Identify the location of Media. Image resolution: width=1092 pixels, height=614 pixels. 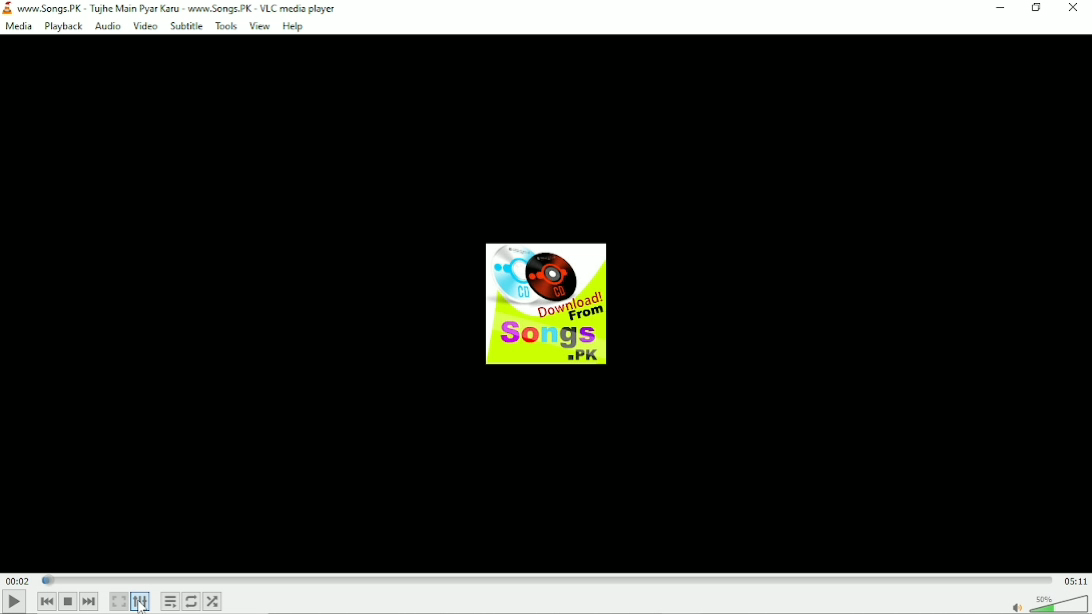
(18, 27).